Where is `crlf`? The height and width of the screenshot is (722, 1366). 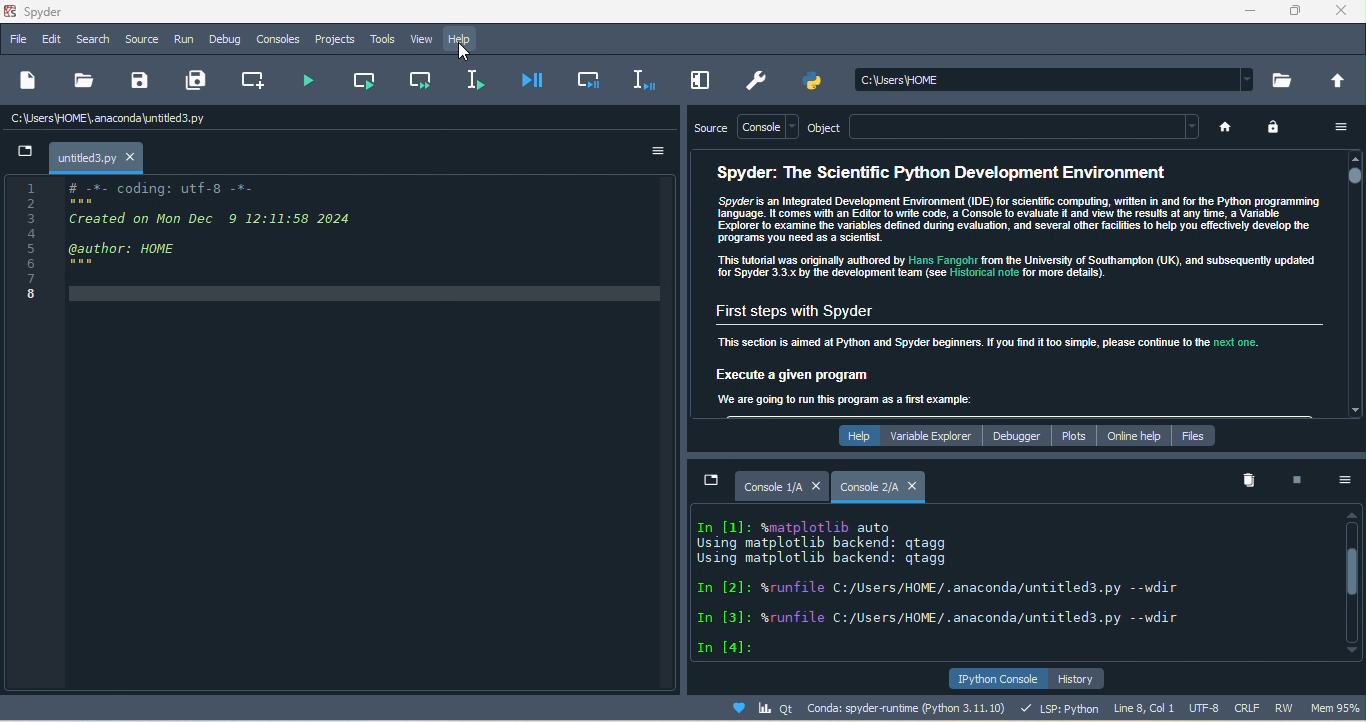
crlf is located at coordinates (1249, 707).